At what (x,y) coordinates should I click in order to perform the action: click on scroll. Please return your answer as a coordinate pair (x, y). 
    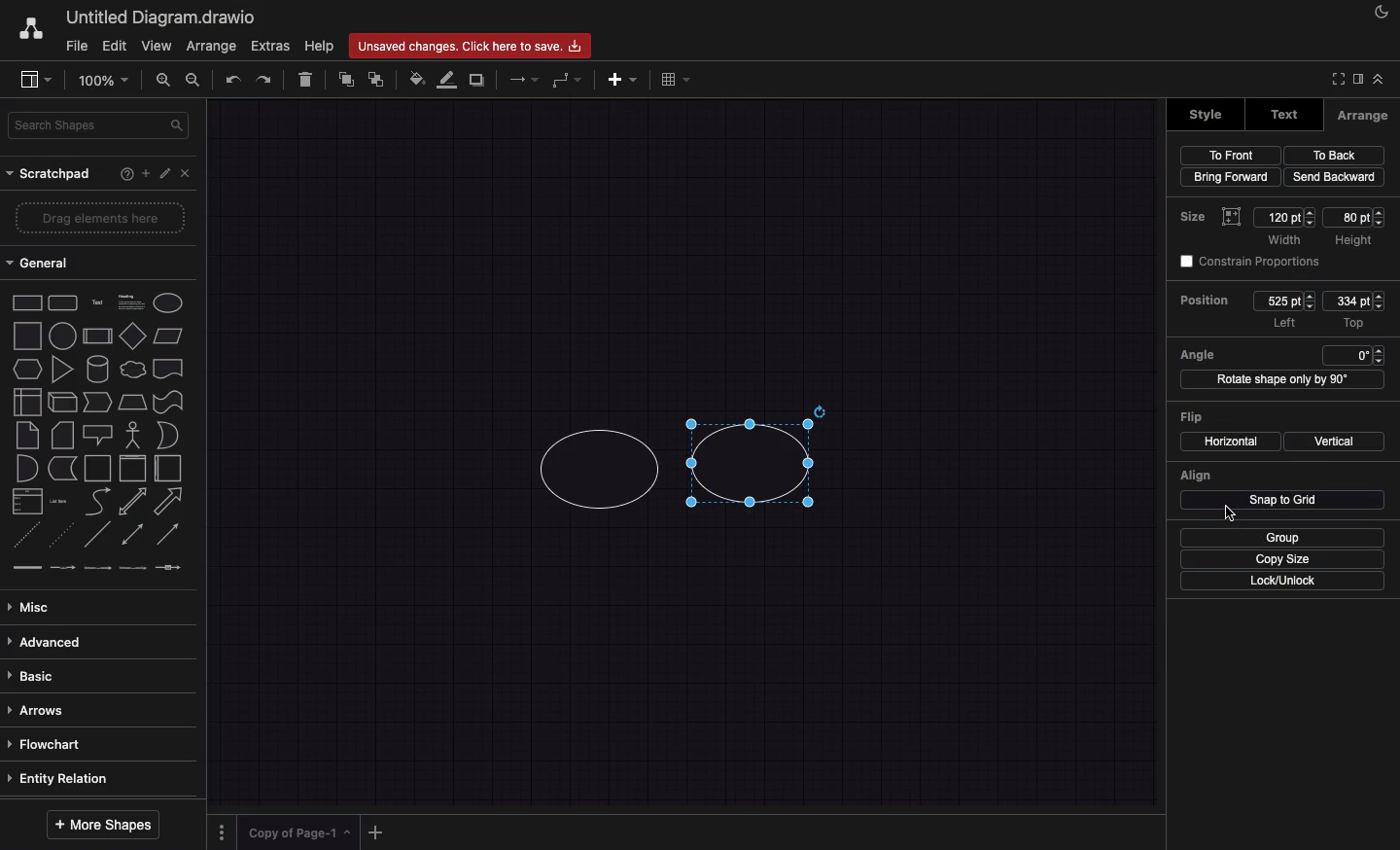
    Looking at the image, I should click on (102, 798).